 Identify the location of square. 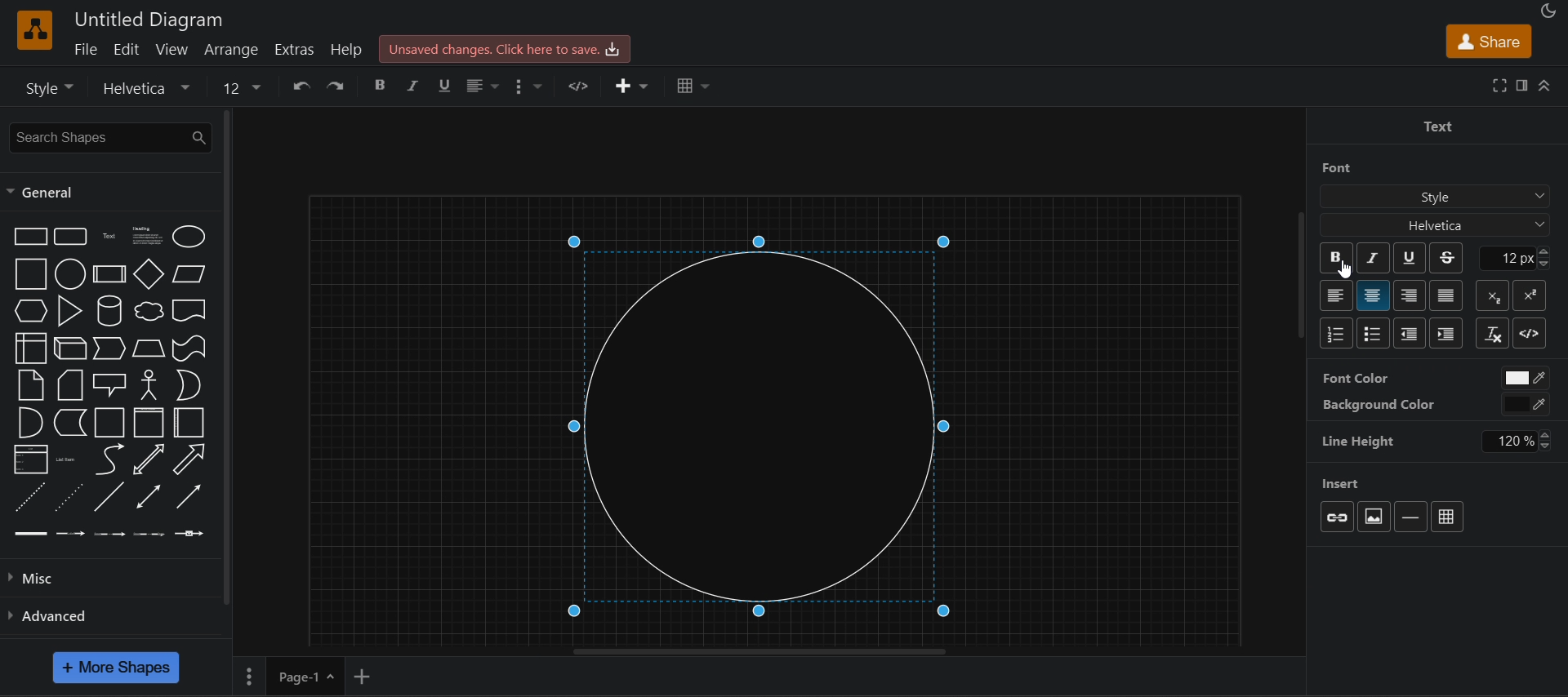
(30, 273).